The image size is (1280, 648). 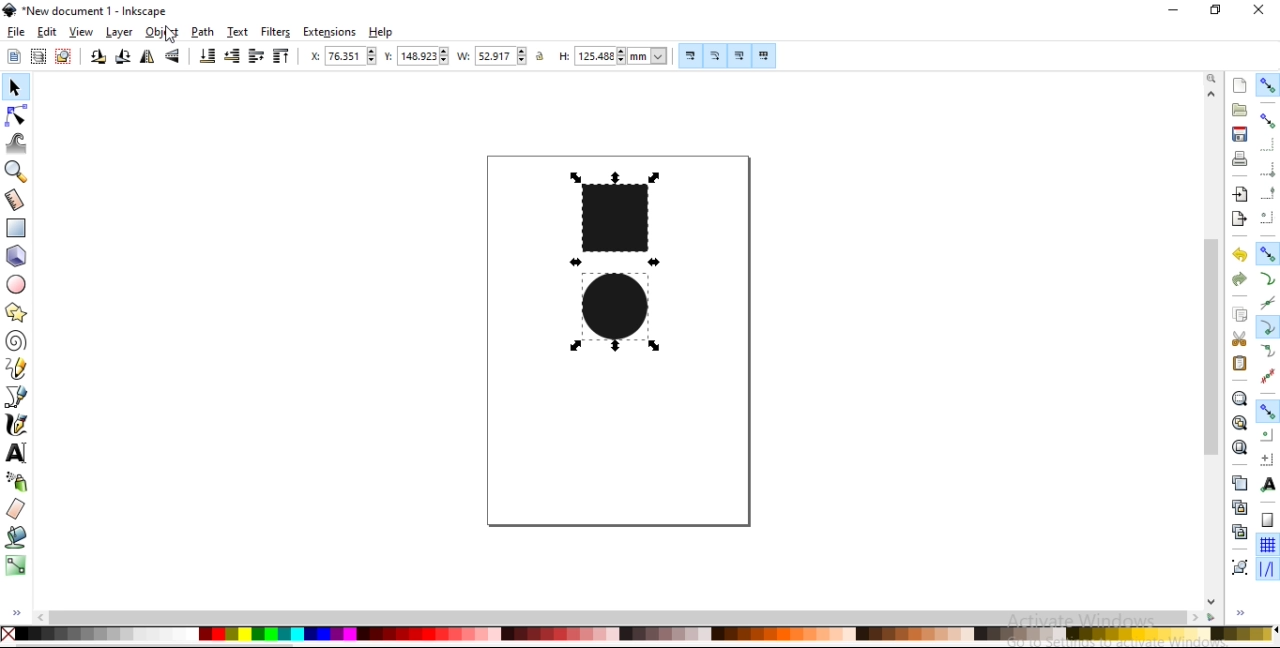 What do you see at coordinates (234, 56) in the screenshot?
I see `lower selection by  one step` at bounding box center [234, 56].